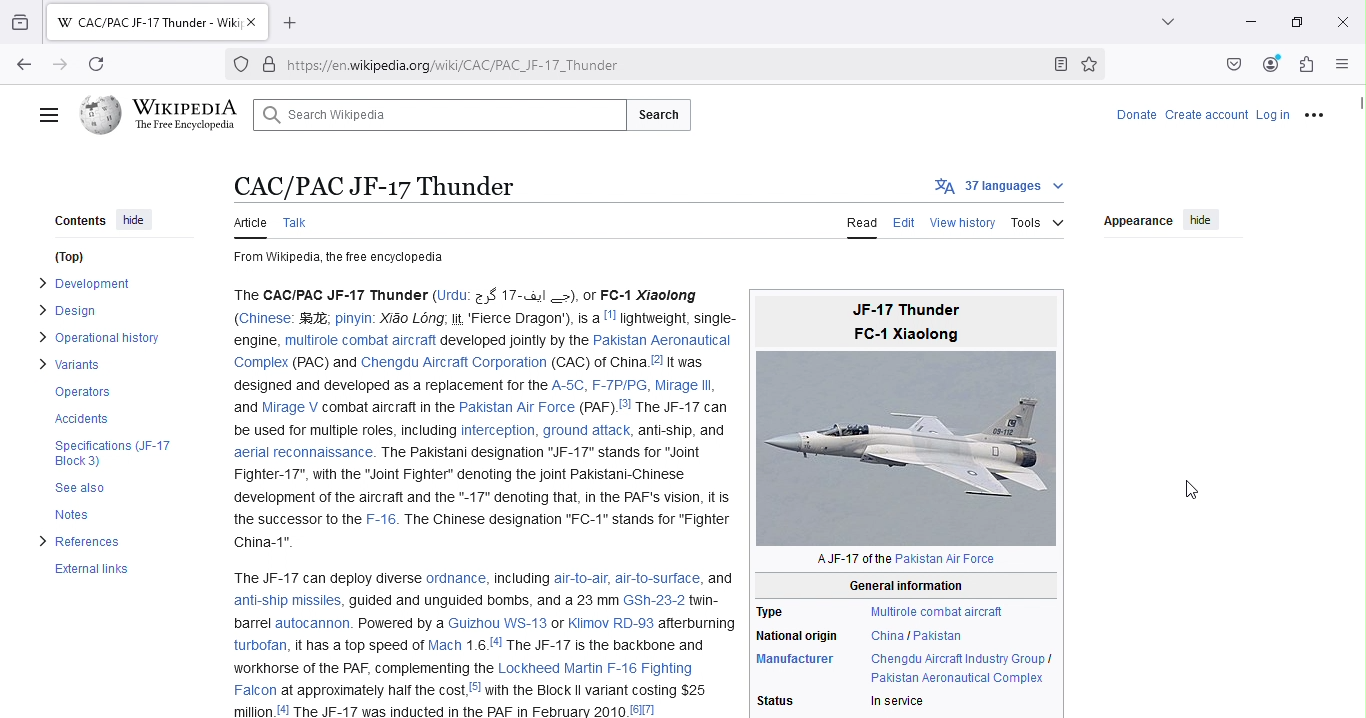  What do you see at coordinates (1189, 492) in the screenshot?
I see `cursor` at bounding box center [1189, 492].